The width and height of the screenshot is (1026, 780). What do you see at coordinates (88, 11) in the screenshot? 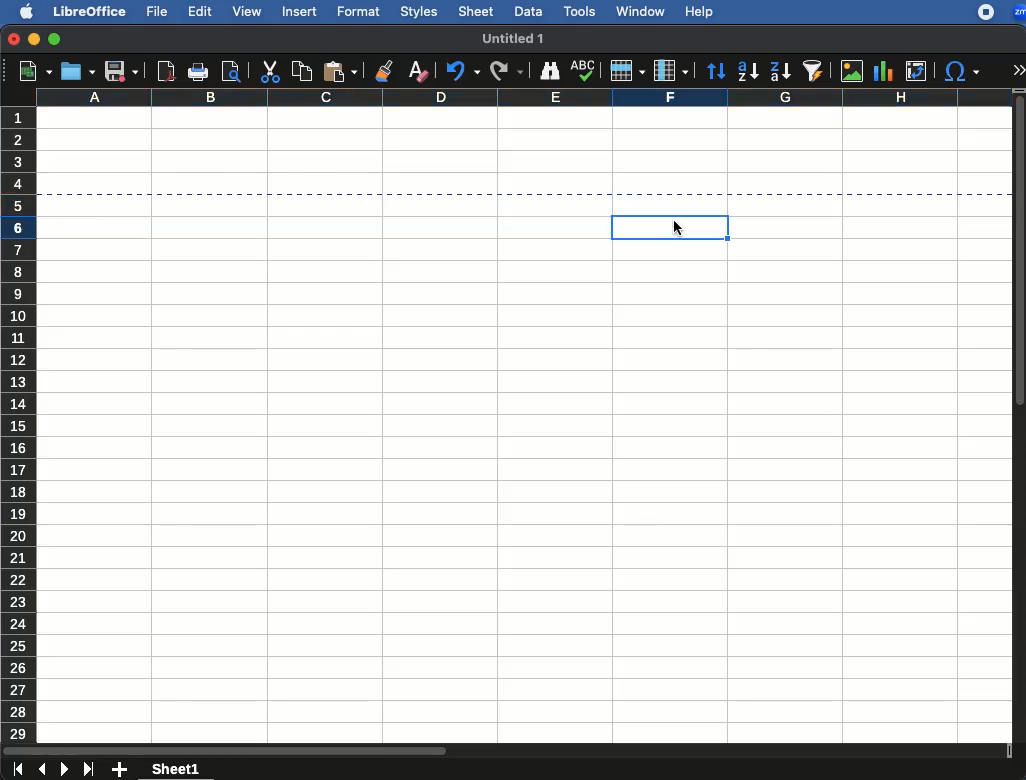
I see `libreoffice` at bounding box center [88, 11].